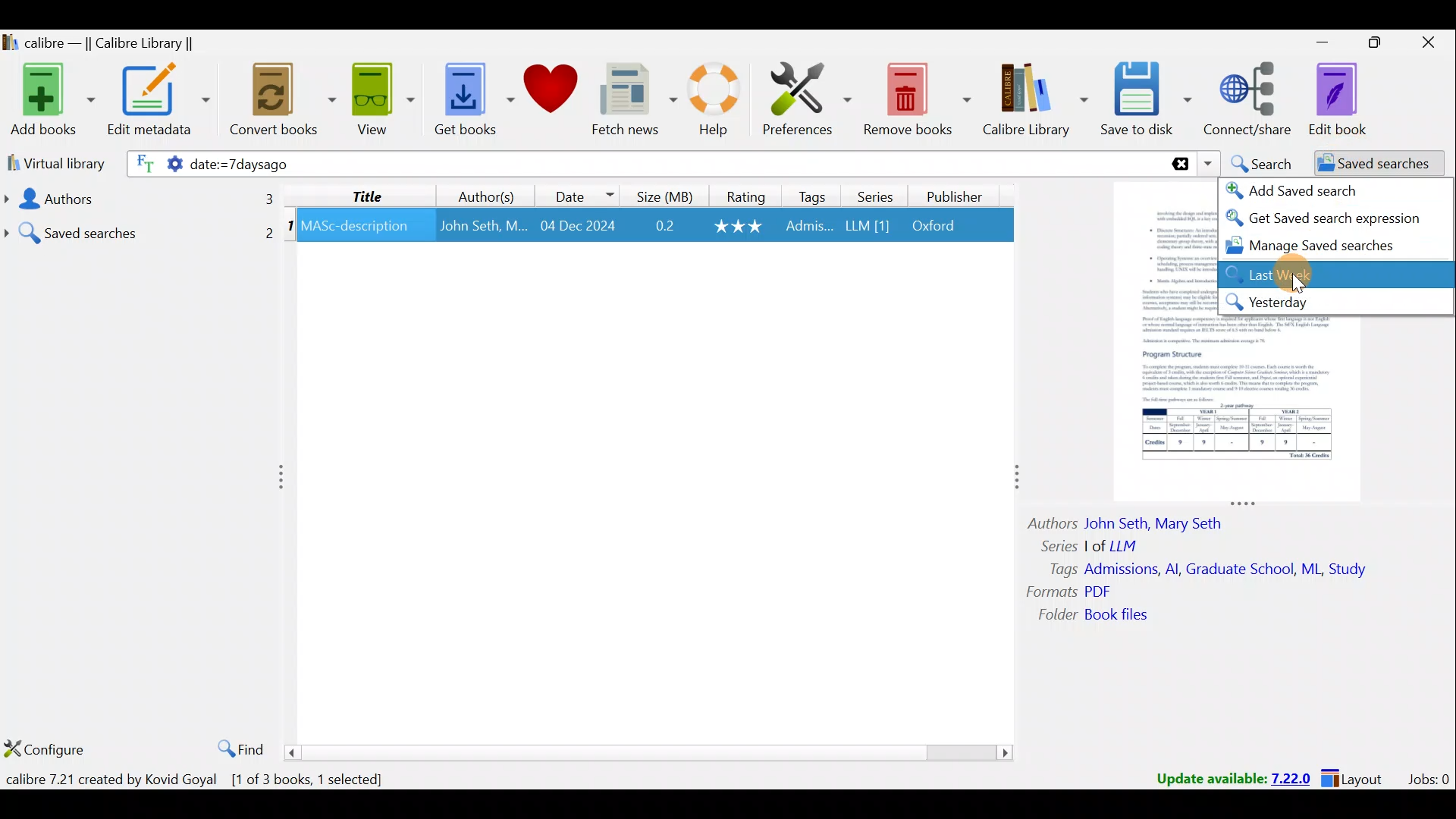  I want to click on Virtual library, so click(52, 162).